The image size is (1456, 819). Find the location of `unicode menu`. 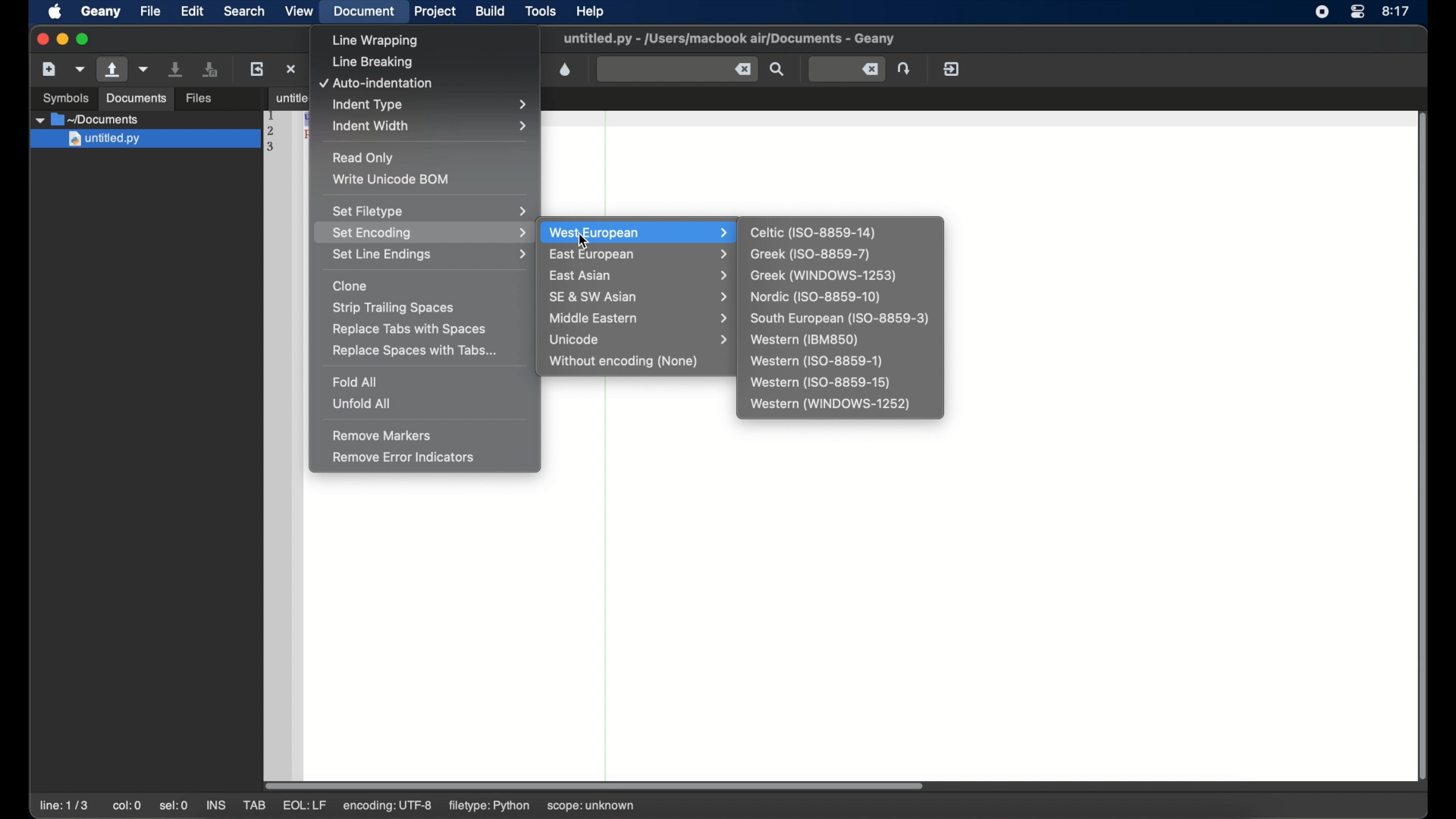

unicode menu is located at coordinates (642, 340).